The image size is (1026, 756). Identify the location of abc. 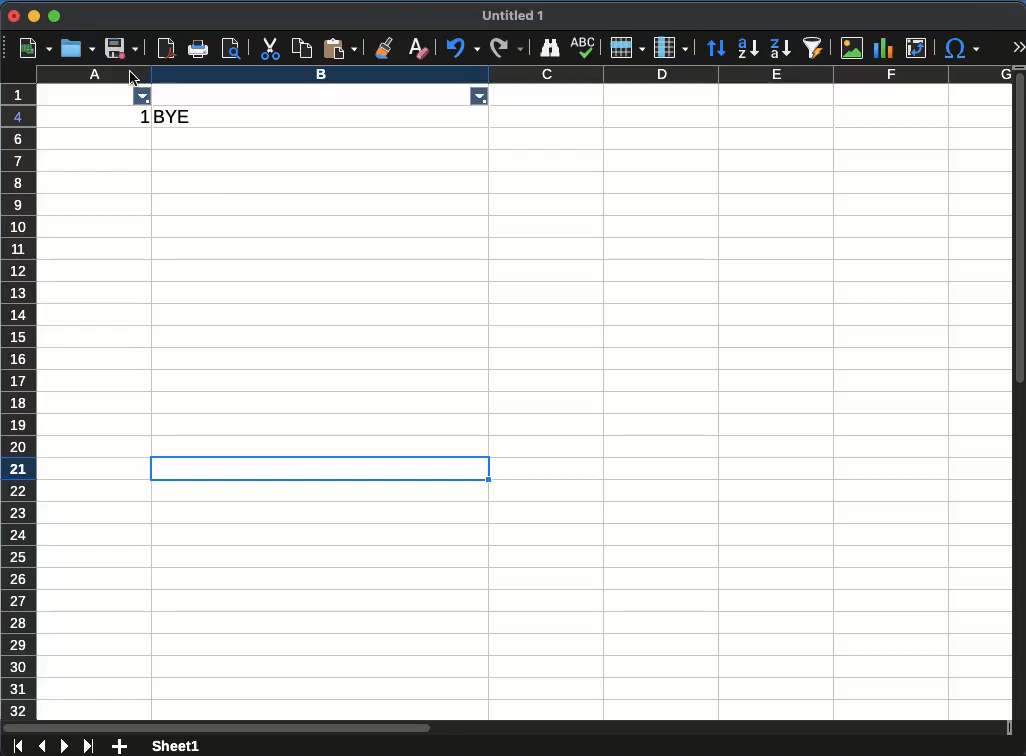
(580, 47).